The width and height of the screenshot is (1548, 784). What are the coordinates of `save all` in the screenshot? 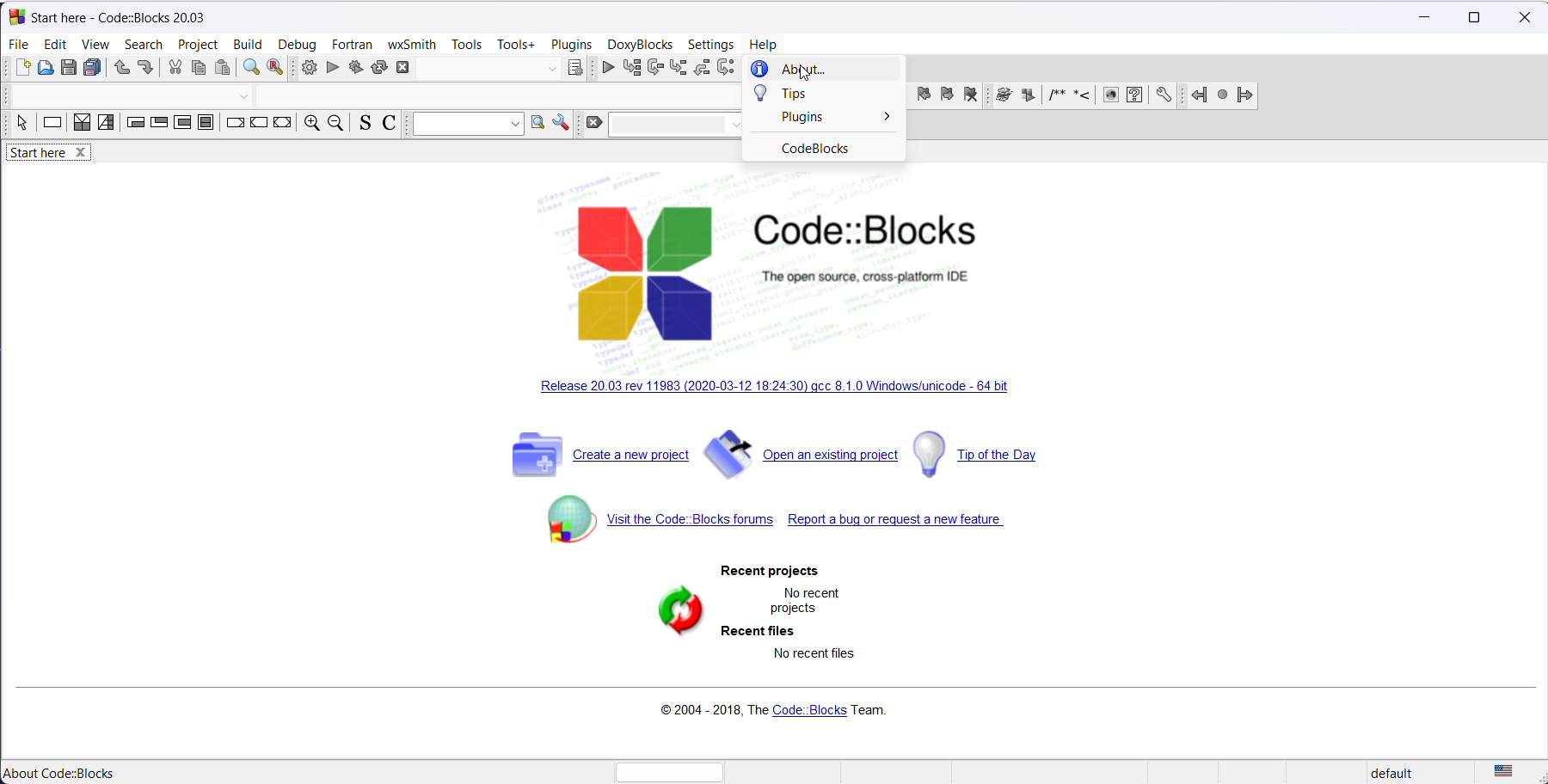 It's located at (92, 70).